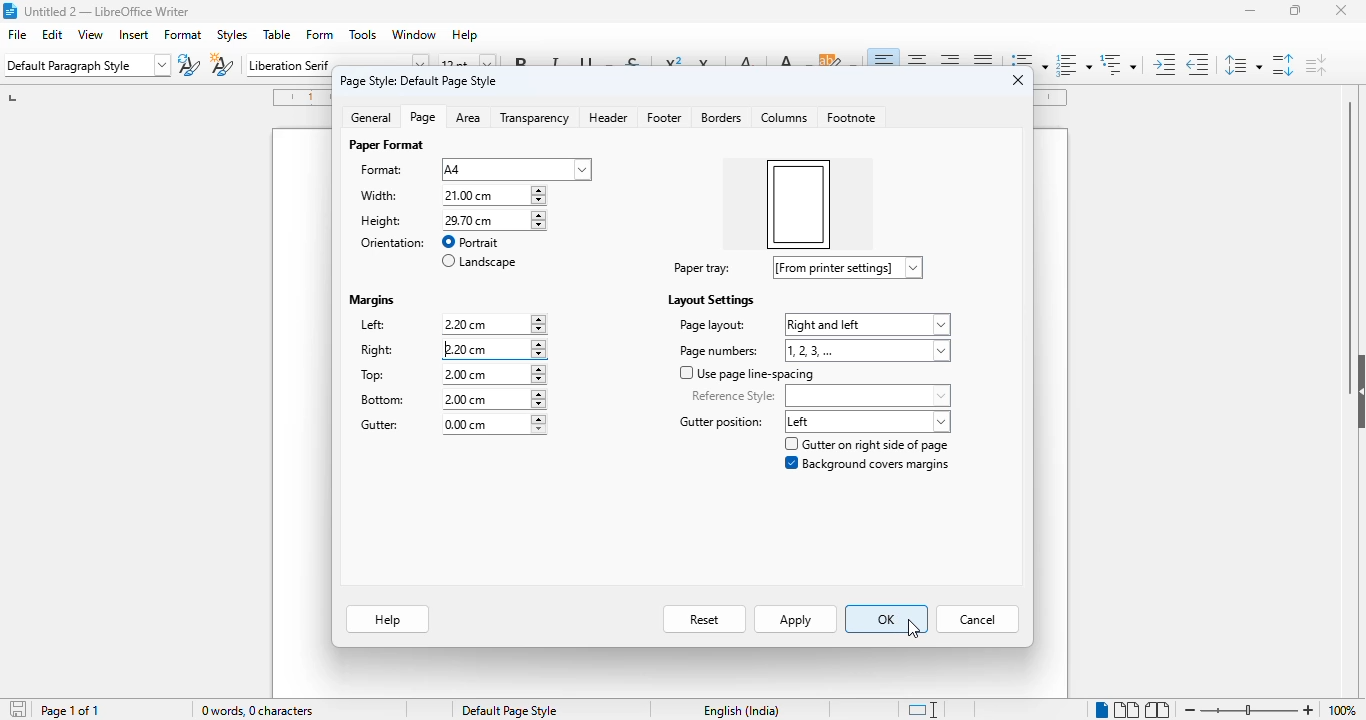 The height and width of the screenshot is (720, 1366). Describe the element at coordinates (475, 220) in the screenshot. I see `height input box` at that location.